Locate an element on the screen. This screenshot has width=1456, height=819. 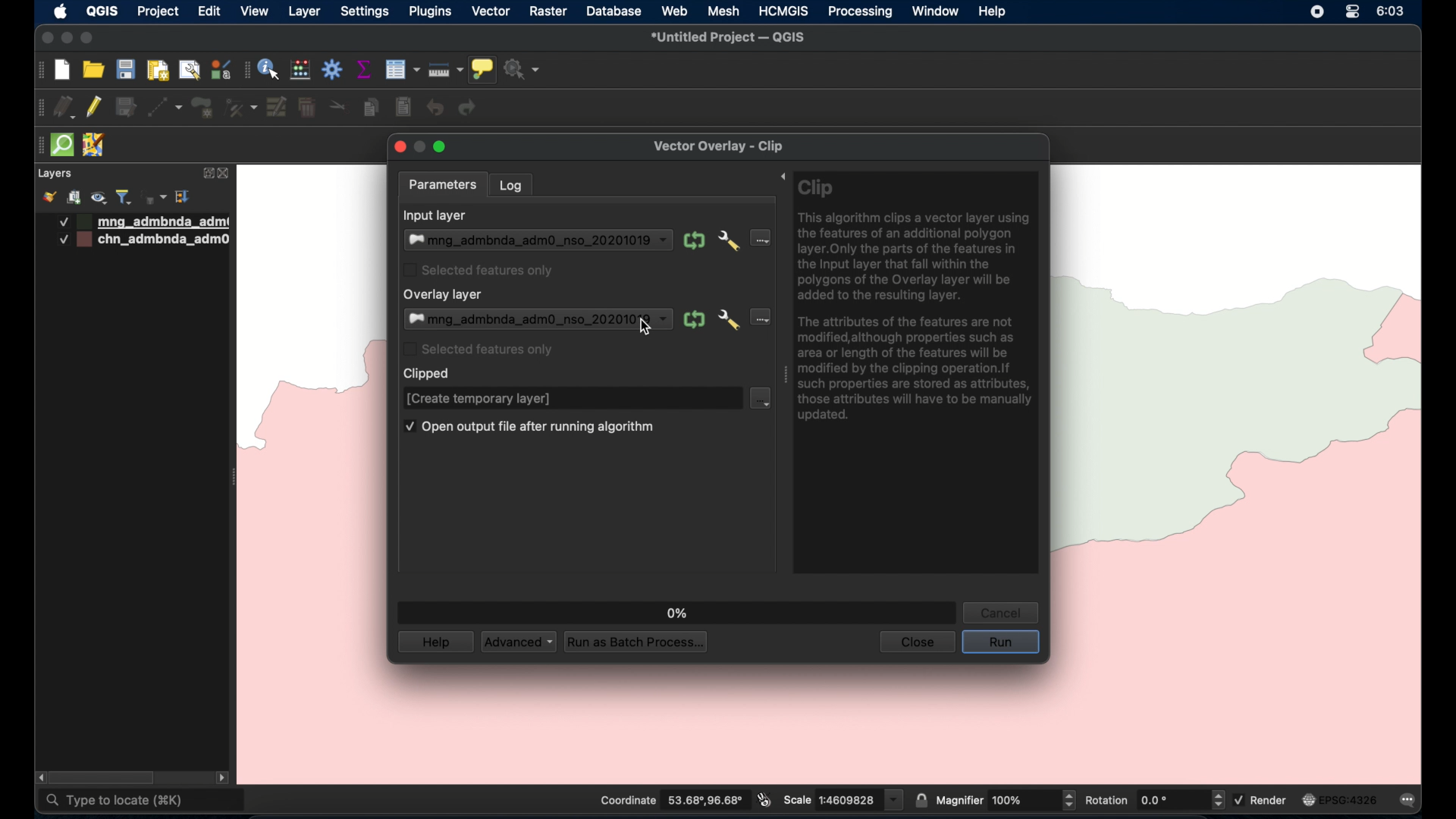
processing is located at coordinates (861, 13).